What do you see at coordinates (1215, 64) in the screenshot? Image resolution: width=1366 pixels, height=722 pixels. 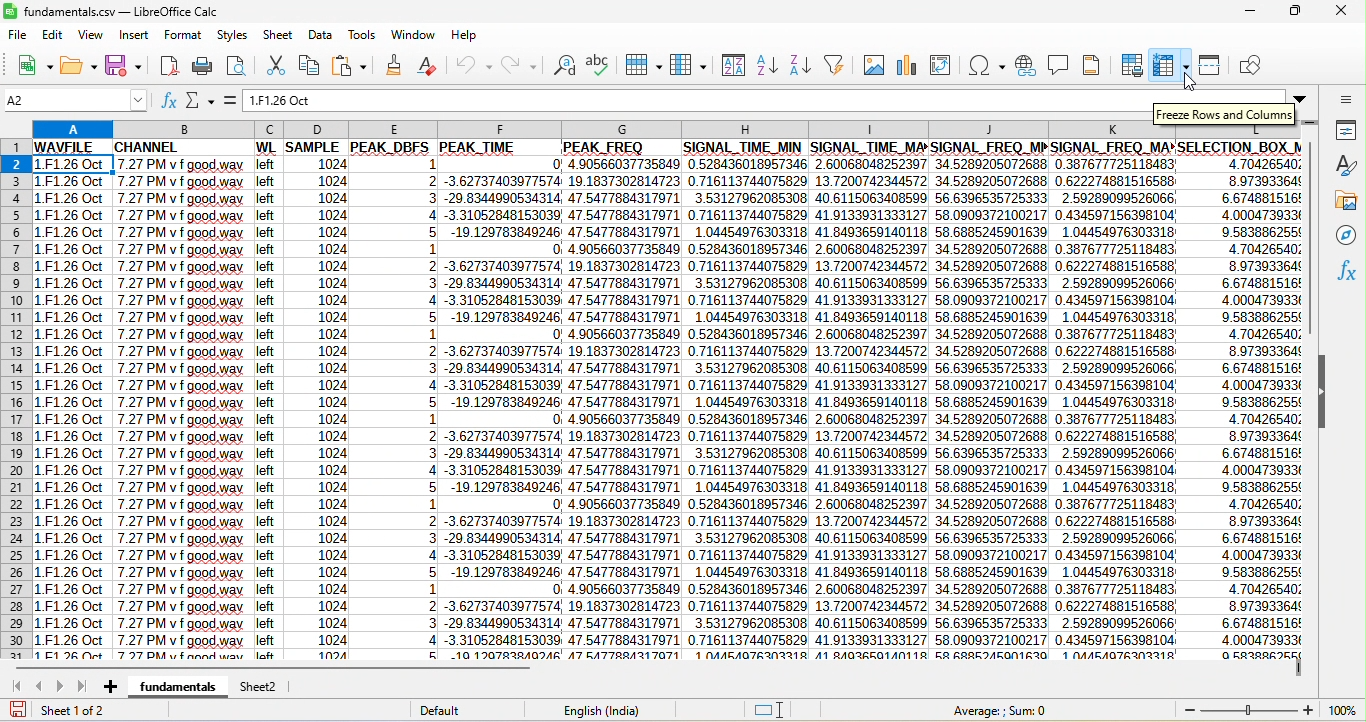 I see `split window` at bounding box center [1215, 64].